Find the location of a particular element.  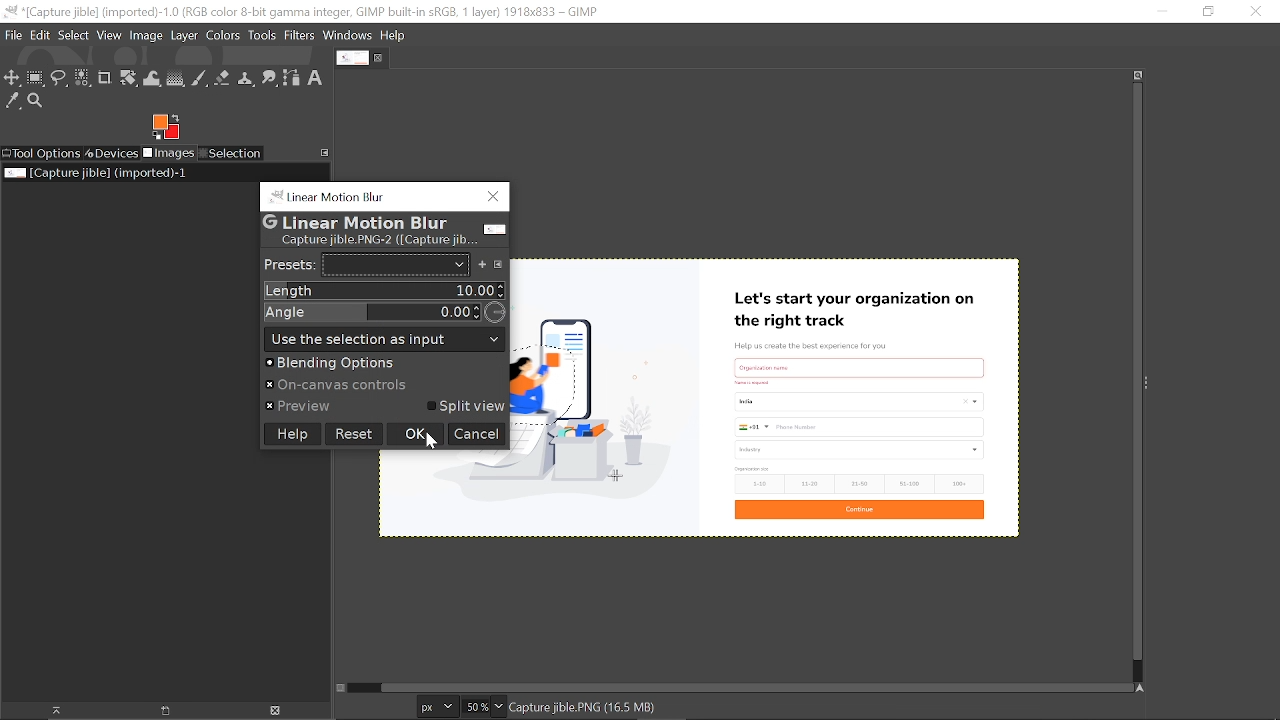

Current tab is located at coordinates (352, 58).